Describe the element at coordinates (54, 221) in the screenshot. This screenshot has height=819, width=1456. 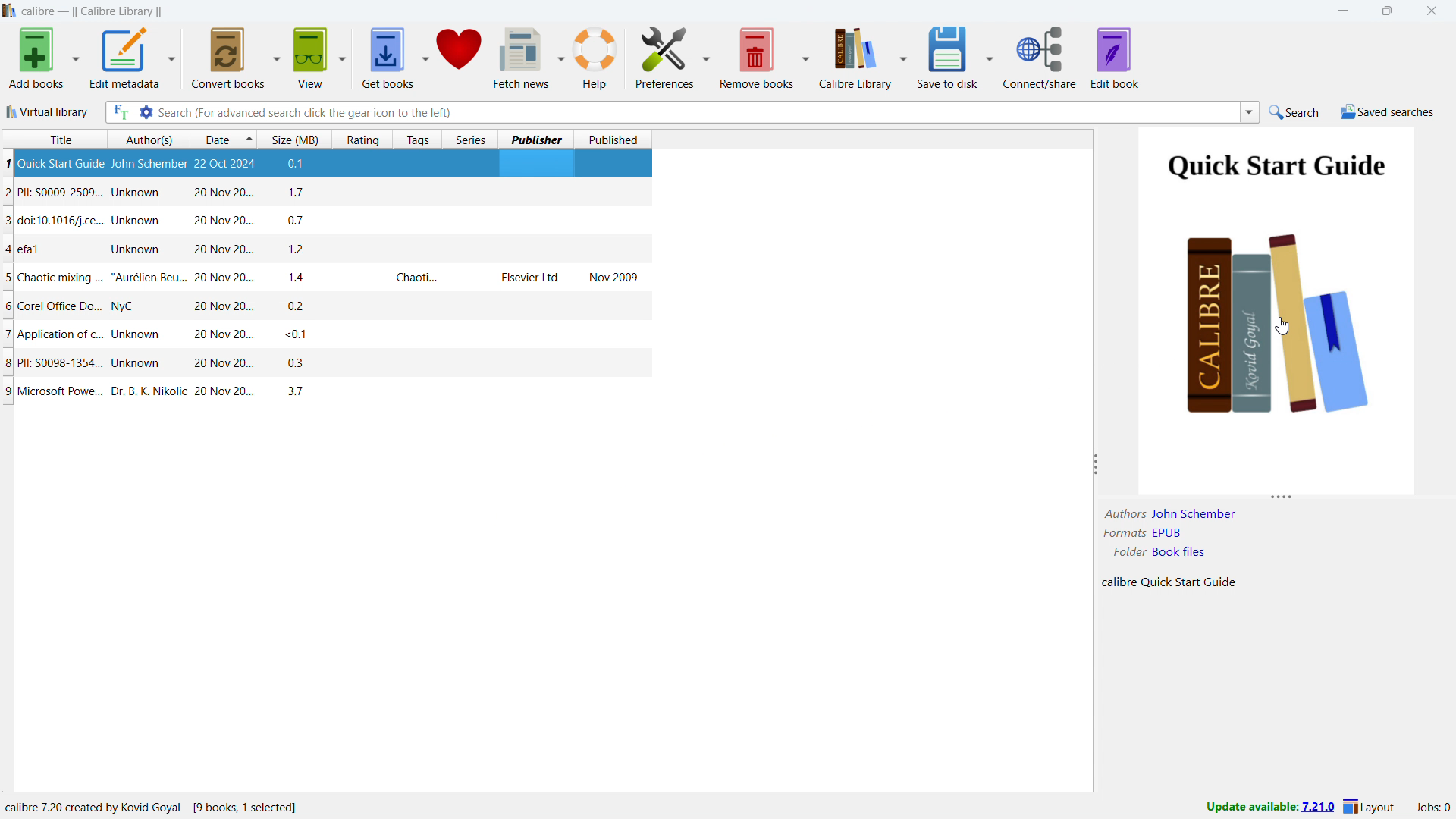
I see `doi:10.1016/j.ce...` at that location.